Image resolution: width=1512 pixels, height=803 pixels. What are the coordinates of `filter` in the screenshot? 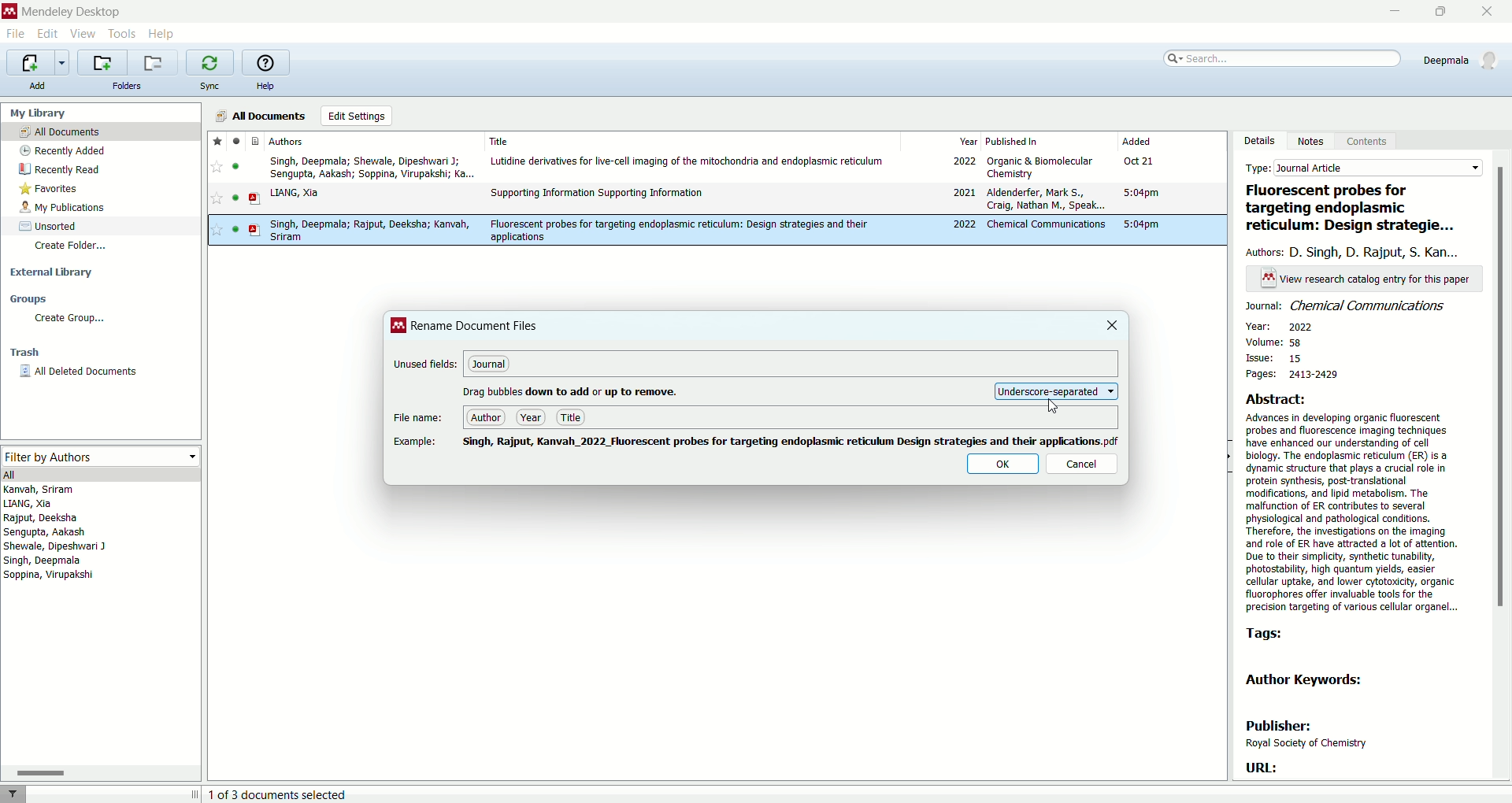 It's located at (14, 792).